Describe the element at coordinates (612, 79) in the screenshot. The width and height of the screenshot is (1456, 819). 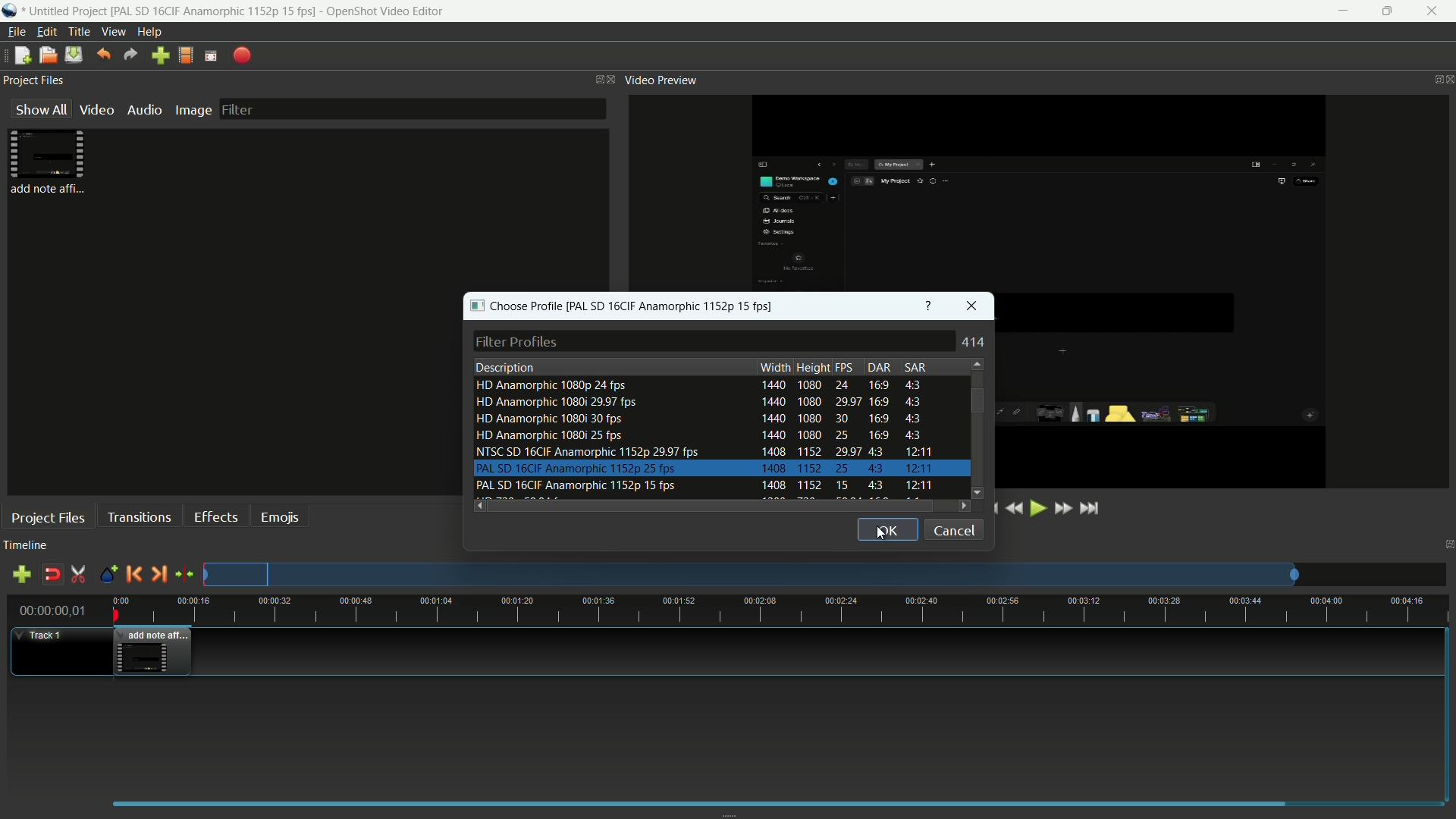
I see `close project files` at that location.